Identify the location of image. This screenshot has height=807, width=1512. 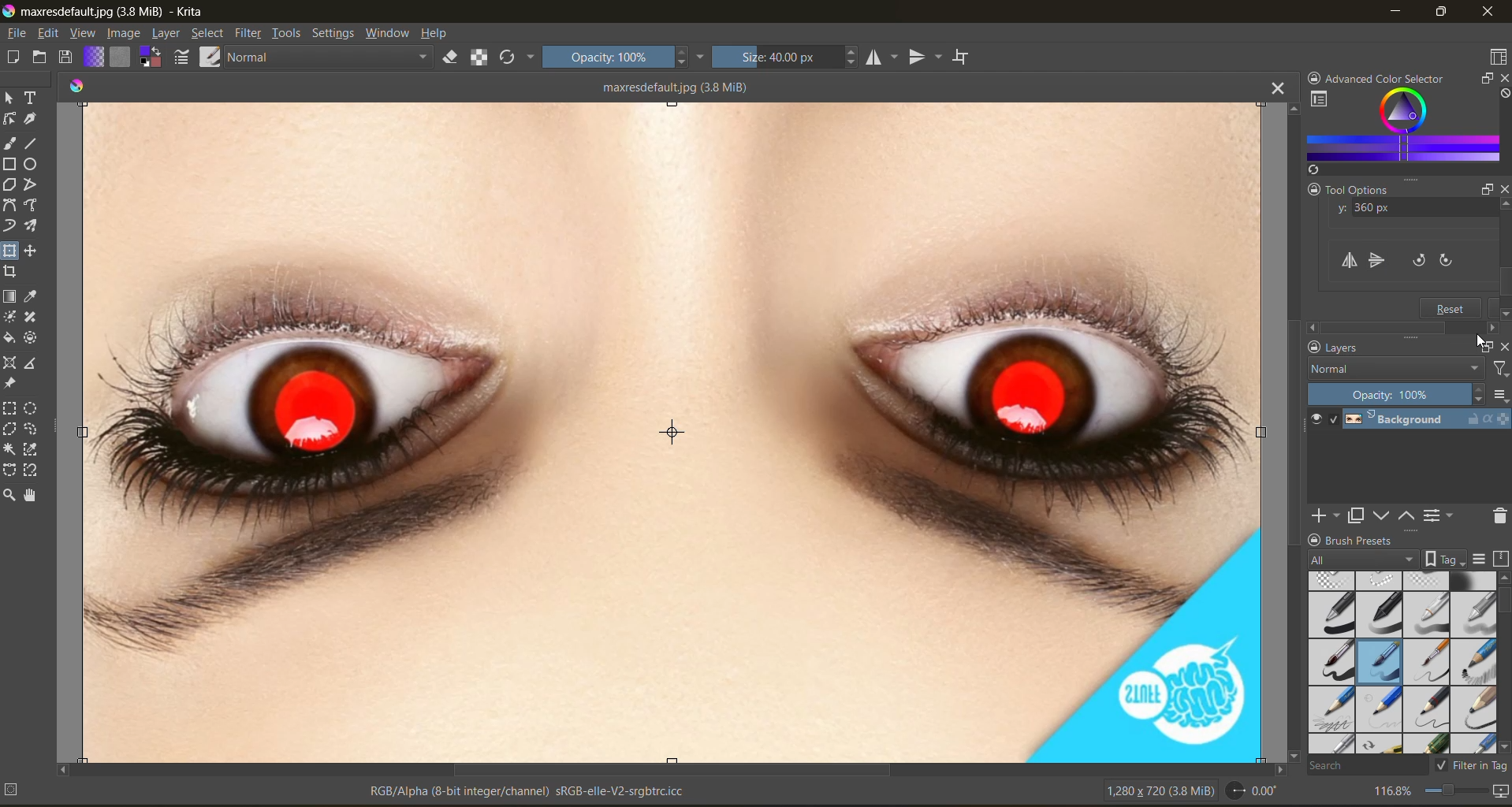
(124, 35).